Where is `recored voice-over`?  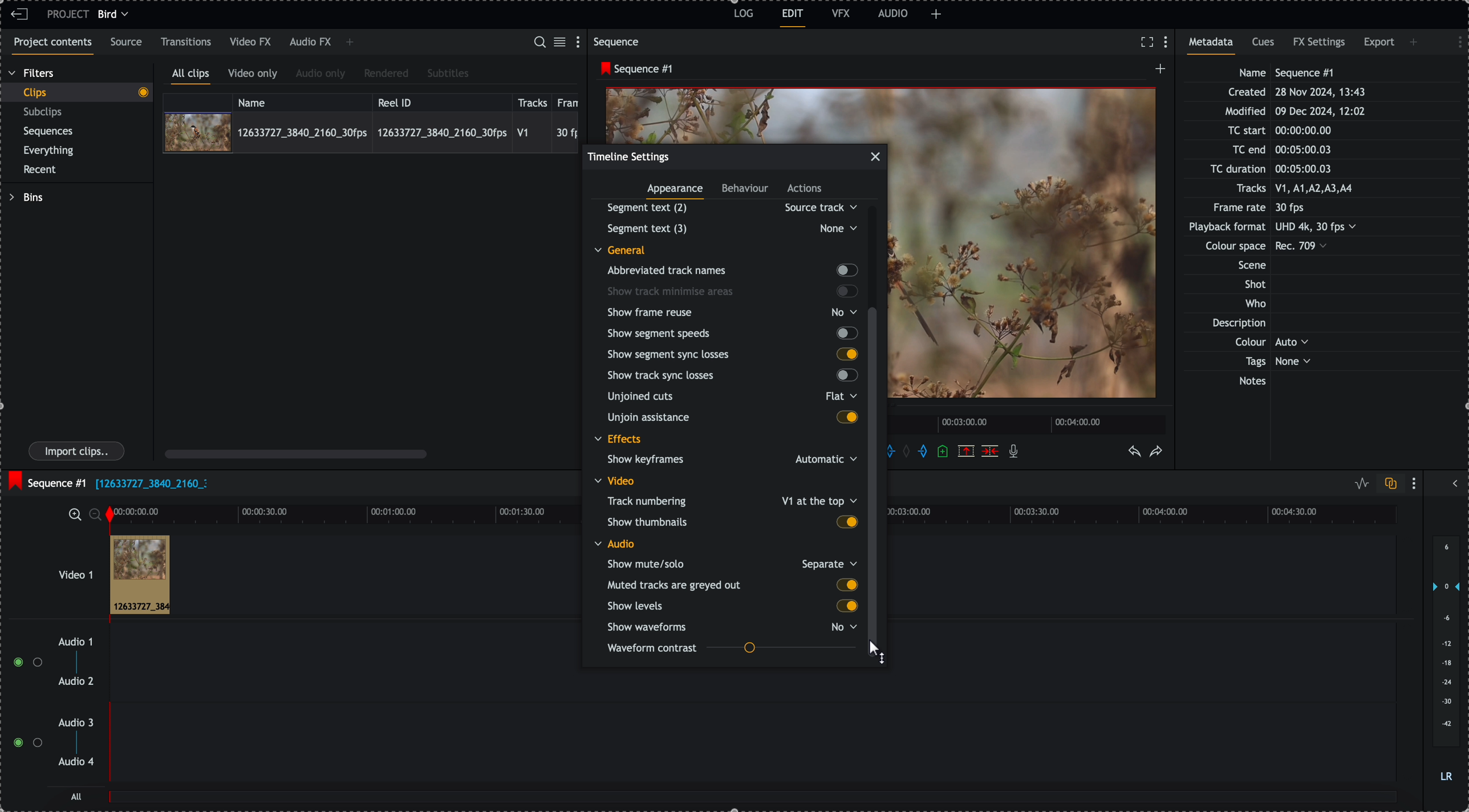 recored voice-over is located at coordinates (1016, 452).